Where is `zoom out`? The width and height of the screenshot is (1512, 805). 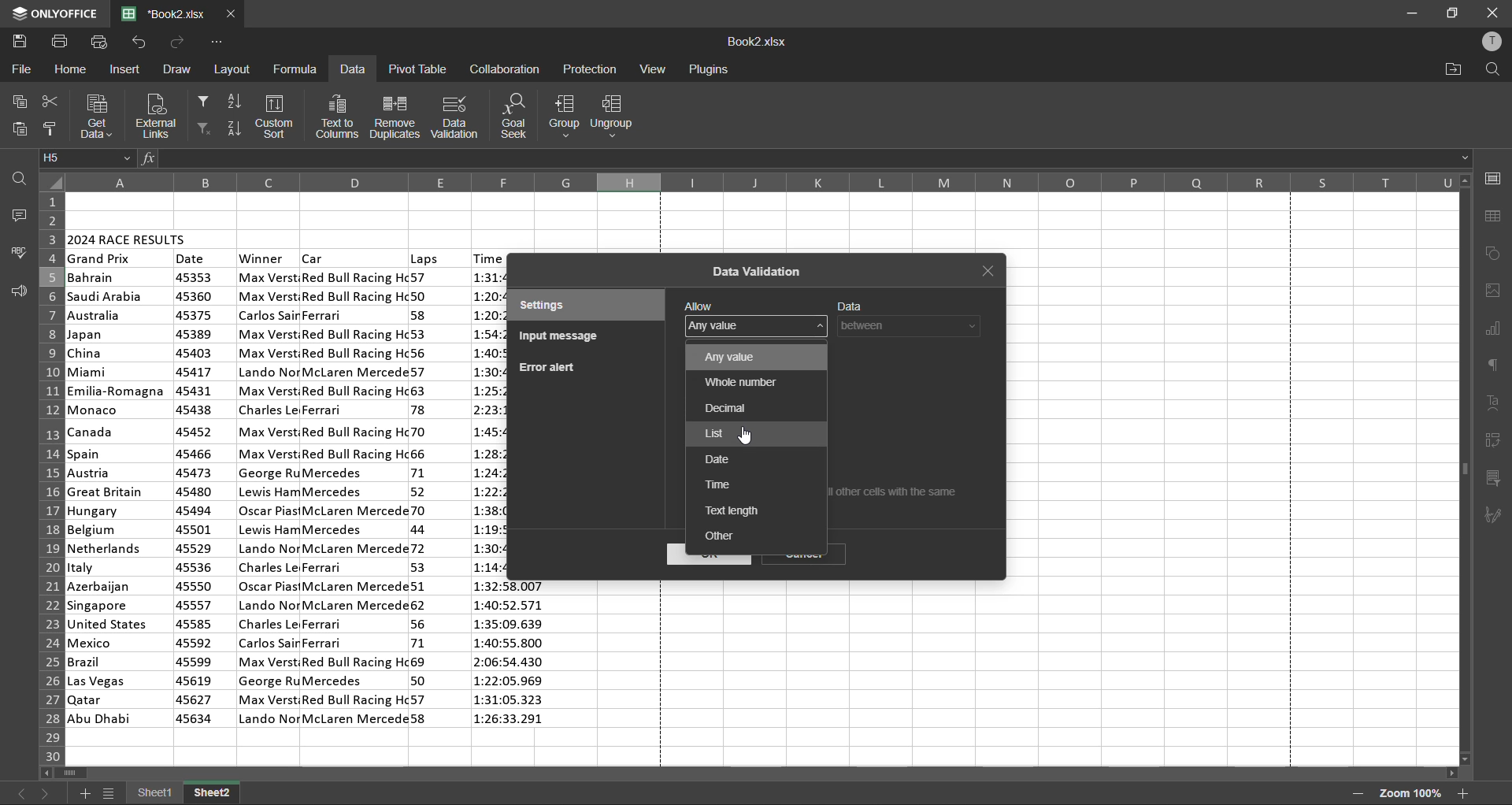 zoom out is located at coordinates (1356, 794).